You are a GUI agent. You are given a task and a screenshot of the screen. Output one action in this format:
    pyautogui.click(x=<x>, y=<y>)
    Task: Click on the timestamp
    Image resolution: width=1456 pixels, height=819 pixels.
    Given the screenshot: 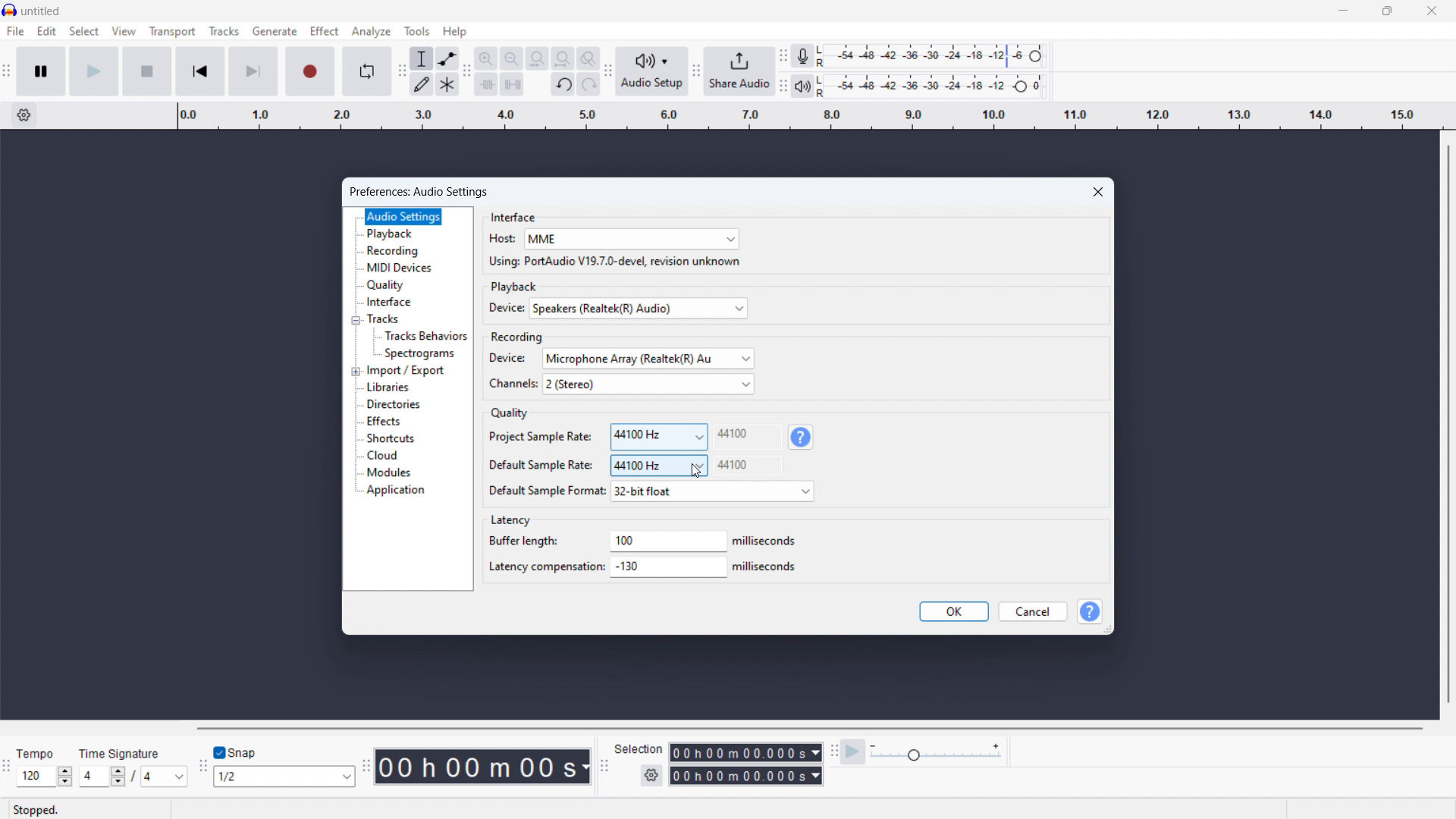 What is the action you would take?
    pyautogui.click(x=485, y=767)
    